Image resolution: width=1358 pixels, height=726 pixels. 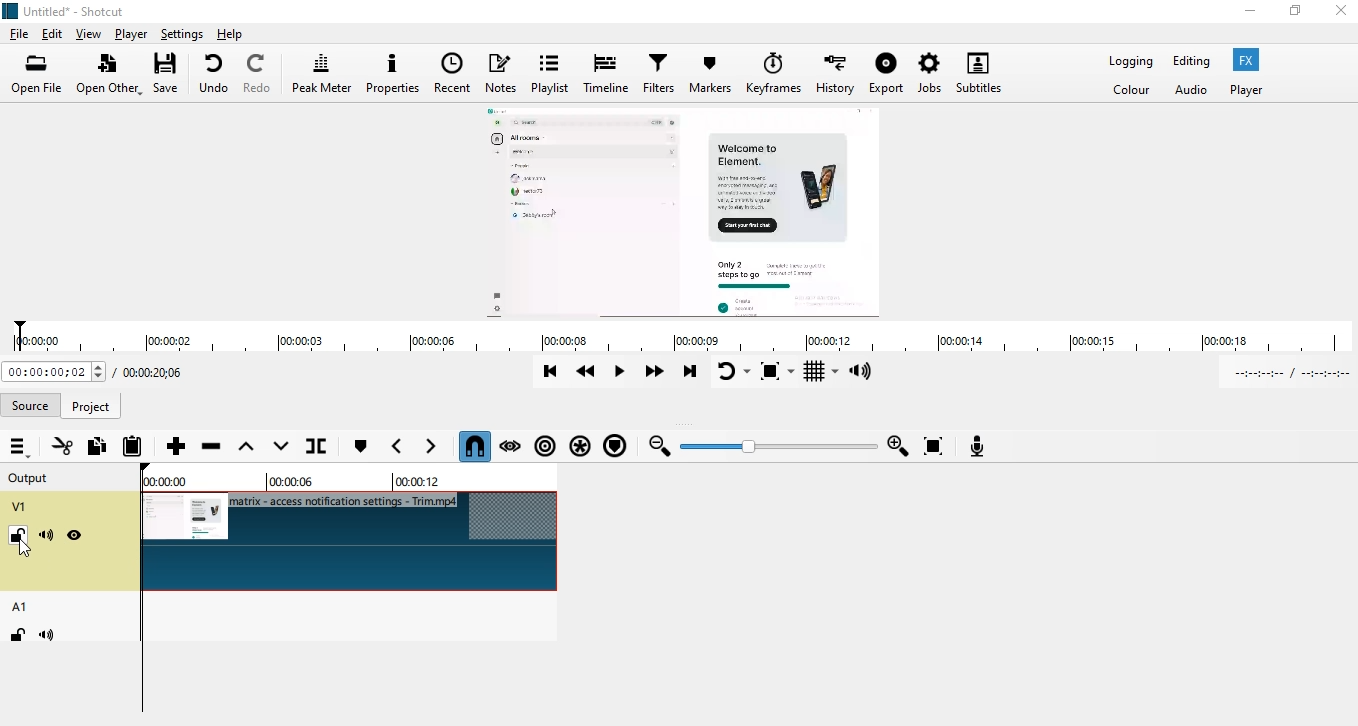 I want to click on previous marker, so click(x=397, y=446).